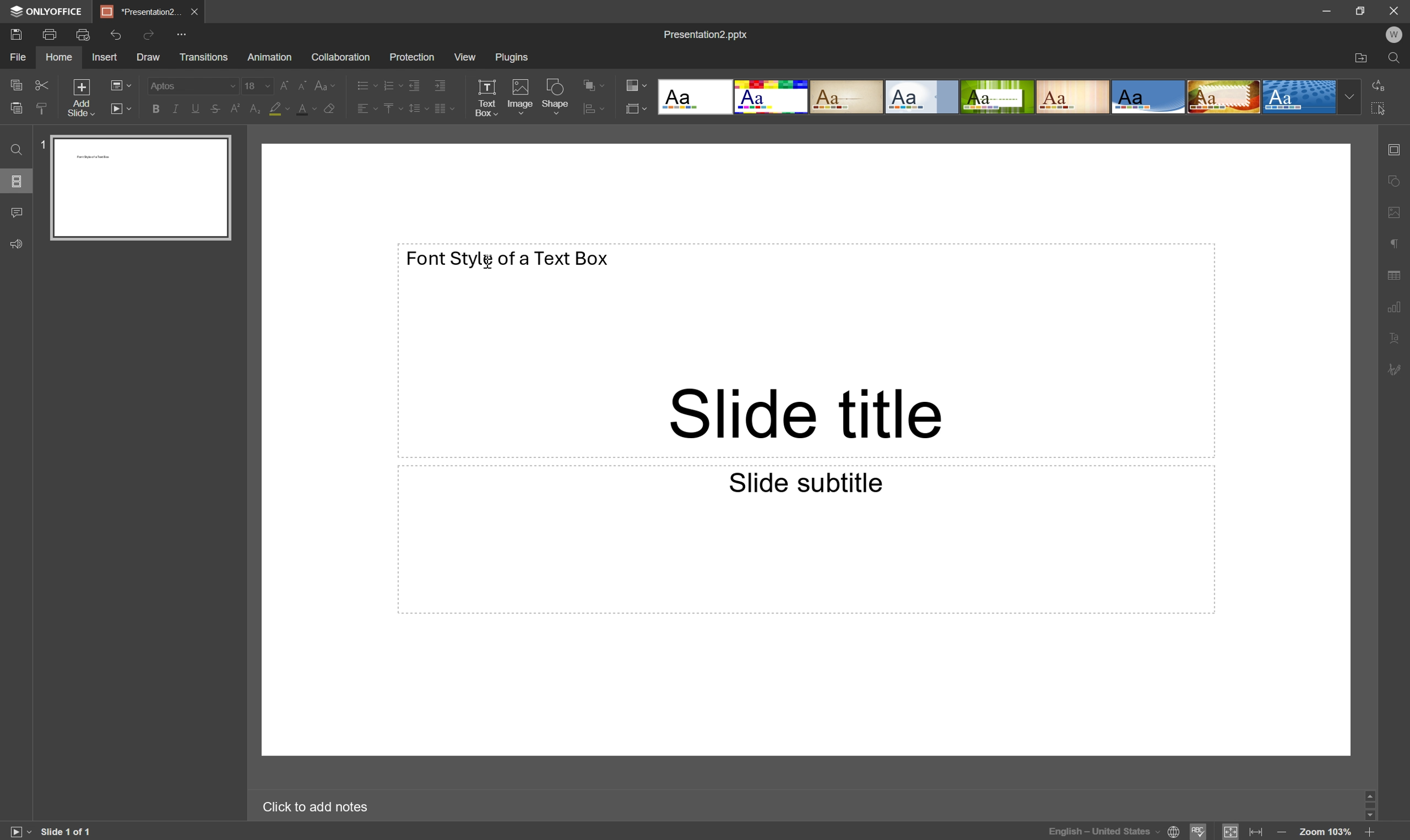 The image size is (1410, 840). Describe the element at coordinates (306, 108) in the screenshot. I see `Font color` at that location.